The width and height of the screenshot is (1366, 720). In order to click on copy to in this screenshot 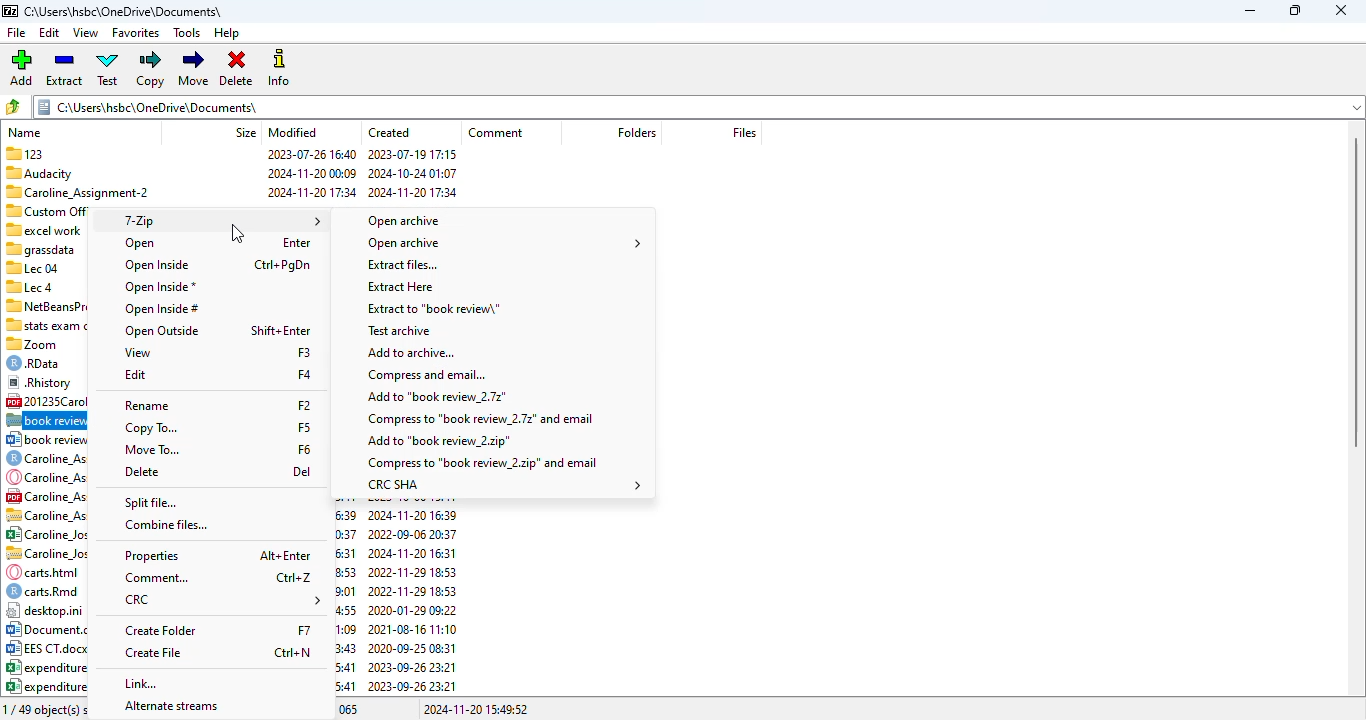, I will do `click(151, 428)`.